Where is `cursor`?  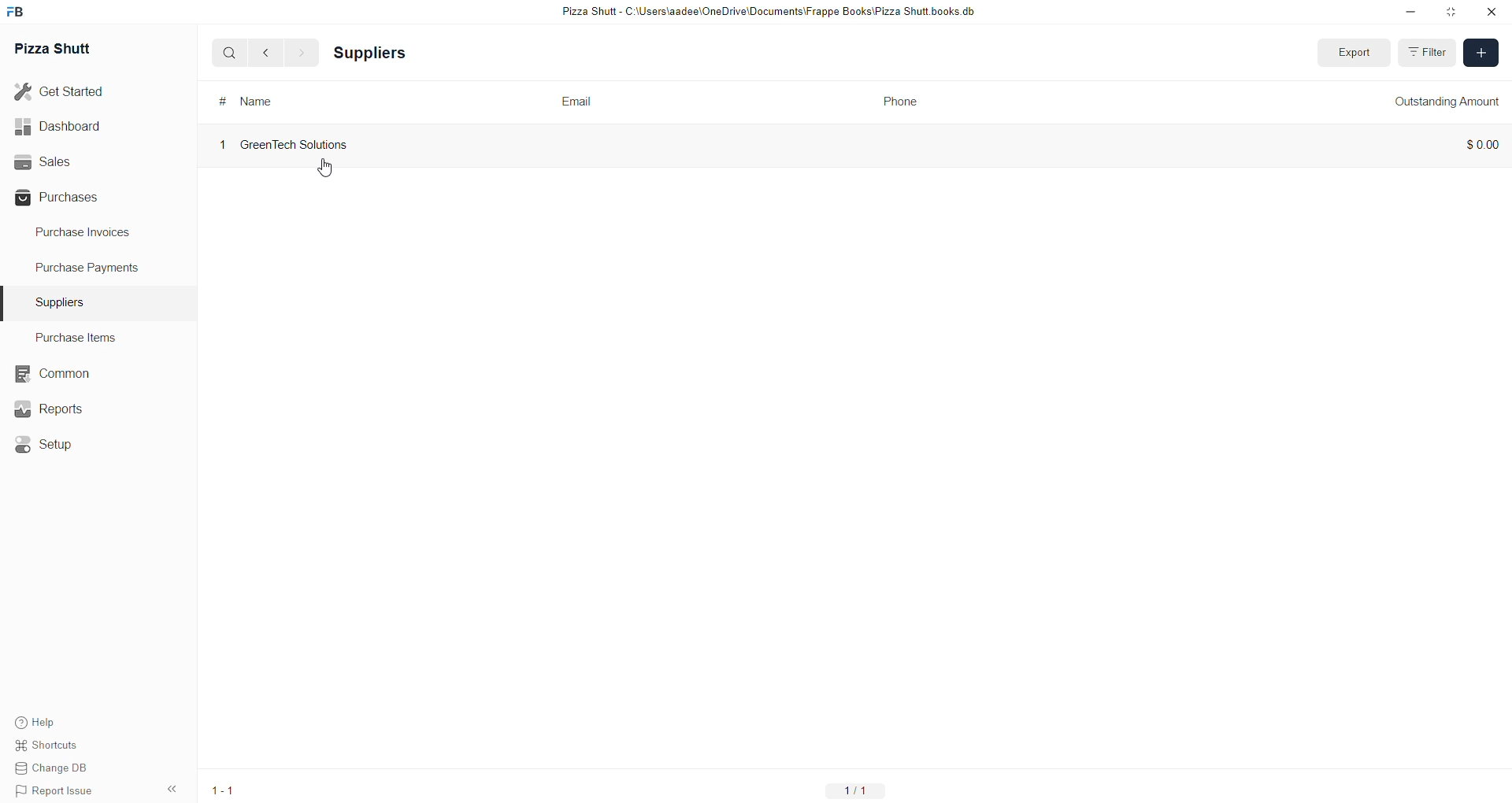 cursor is located at coordinates (326, 167).